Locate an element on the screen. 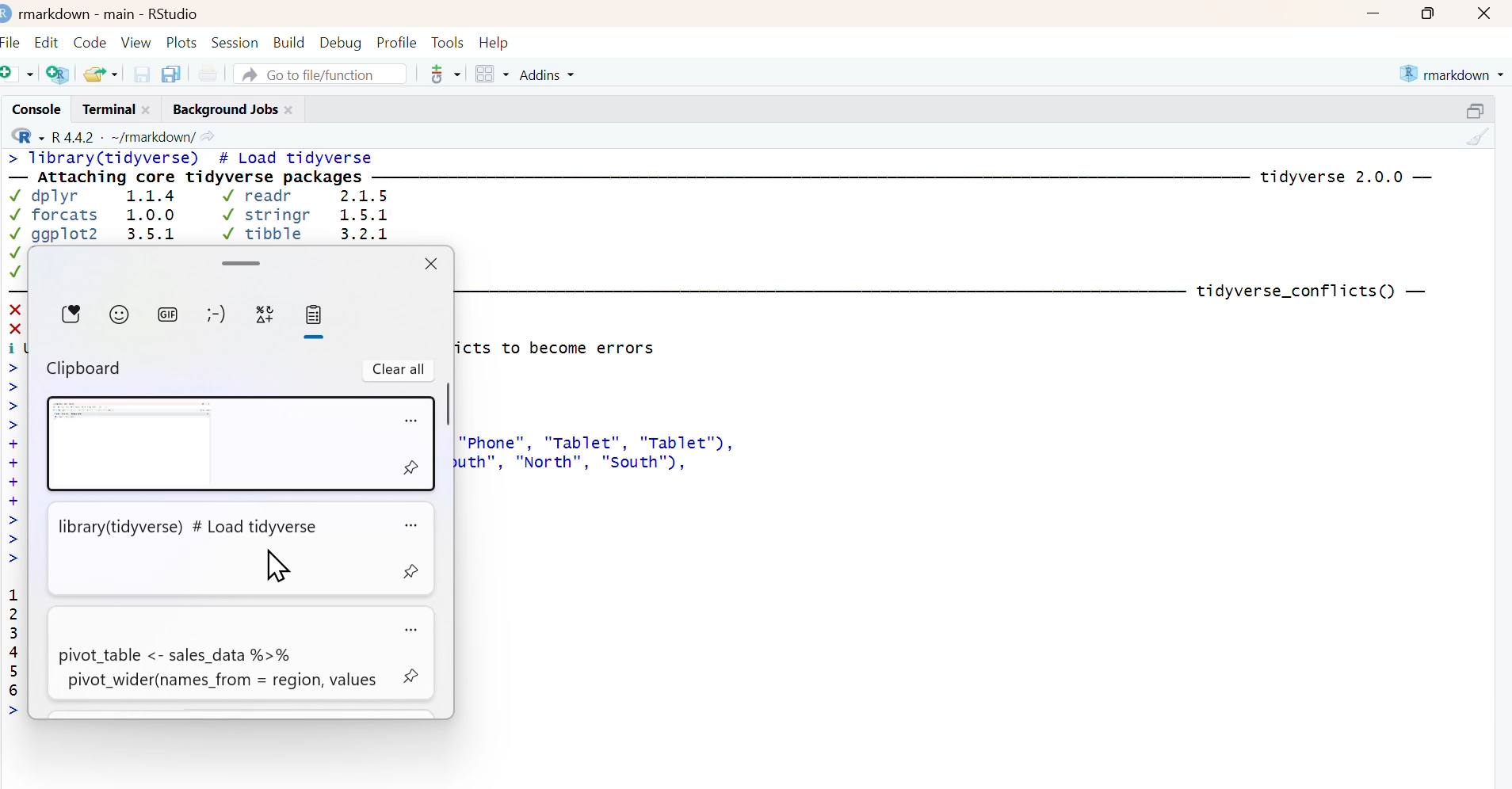 The height and width of the screenshot is (789, 1512). options is located at coordinates (413, 628).